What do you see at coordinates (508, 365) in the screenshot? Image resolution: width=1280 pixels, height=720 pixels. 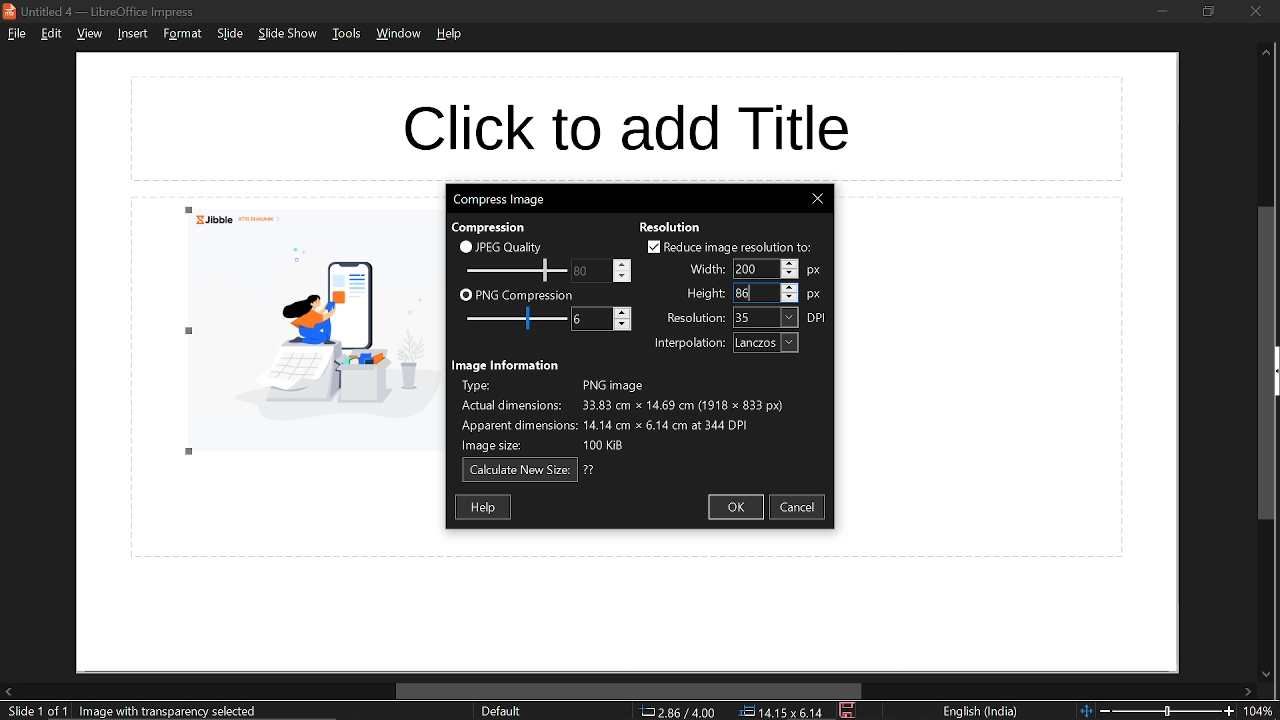 I see `image information` at bounding box center [508, 365].